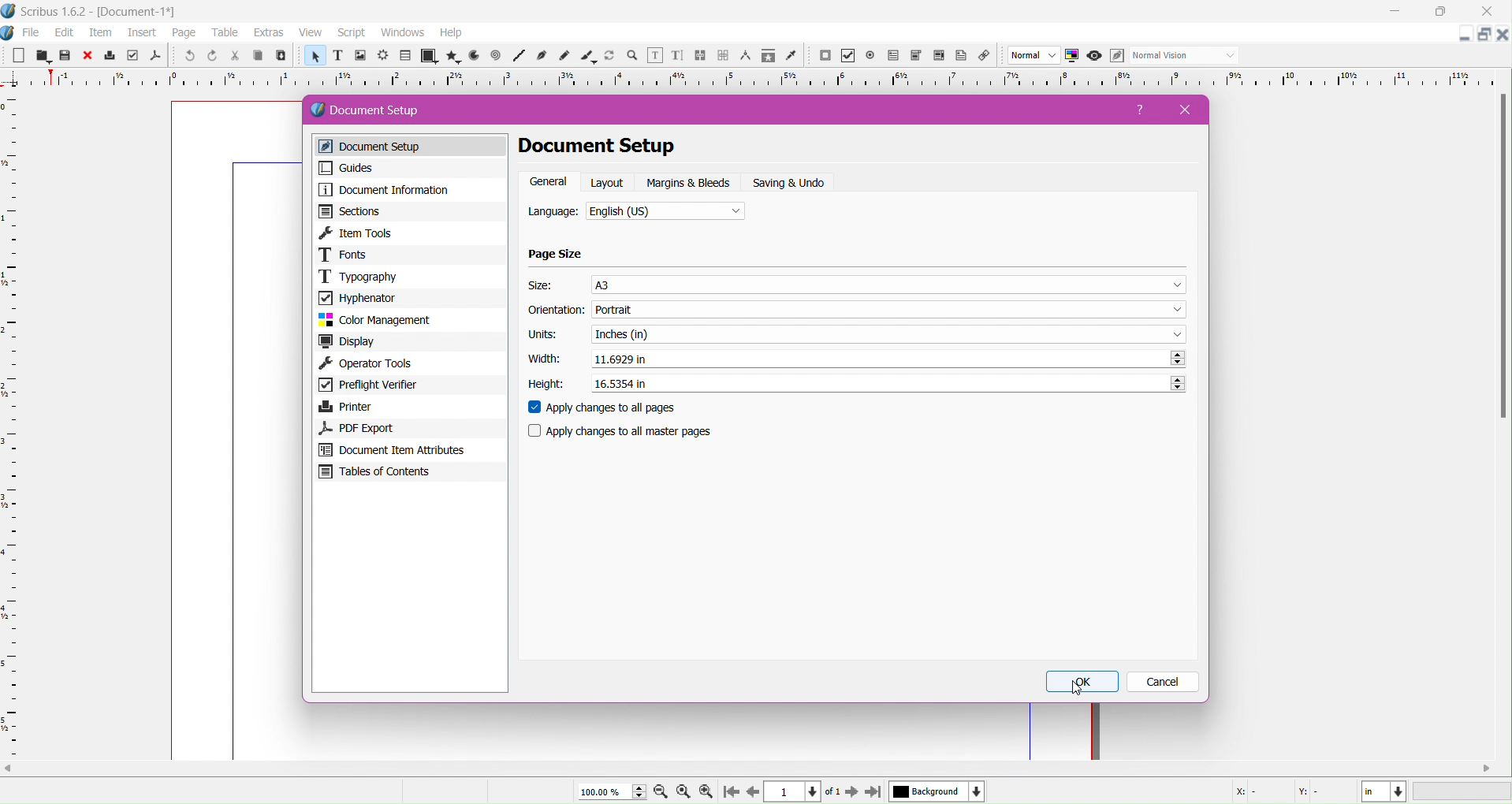  What do you see at coordinates (427, 57) in the screenshot?
I see `shape` at bounding box center [427, 57].